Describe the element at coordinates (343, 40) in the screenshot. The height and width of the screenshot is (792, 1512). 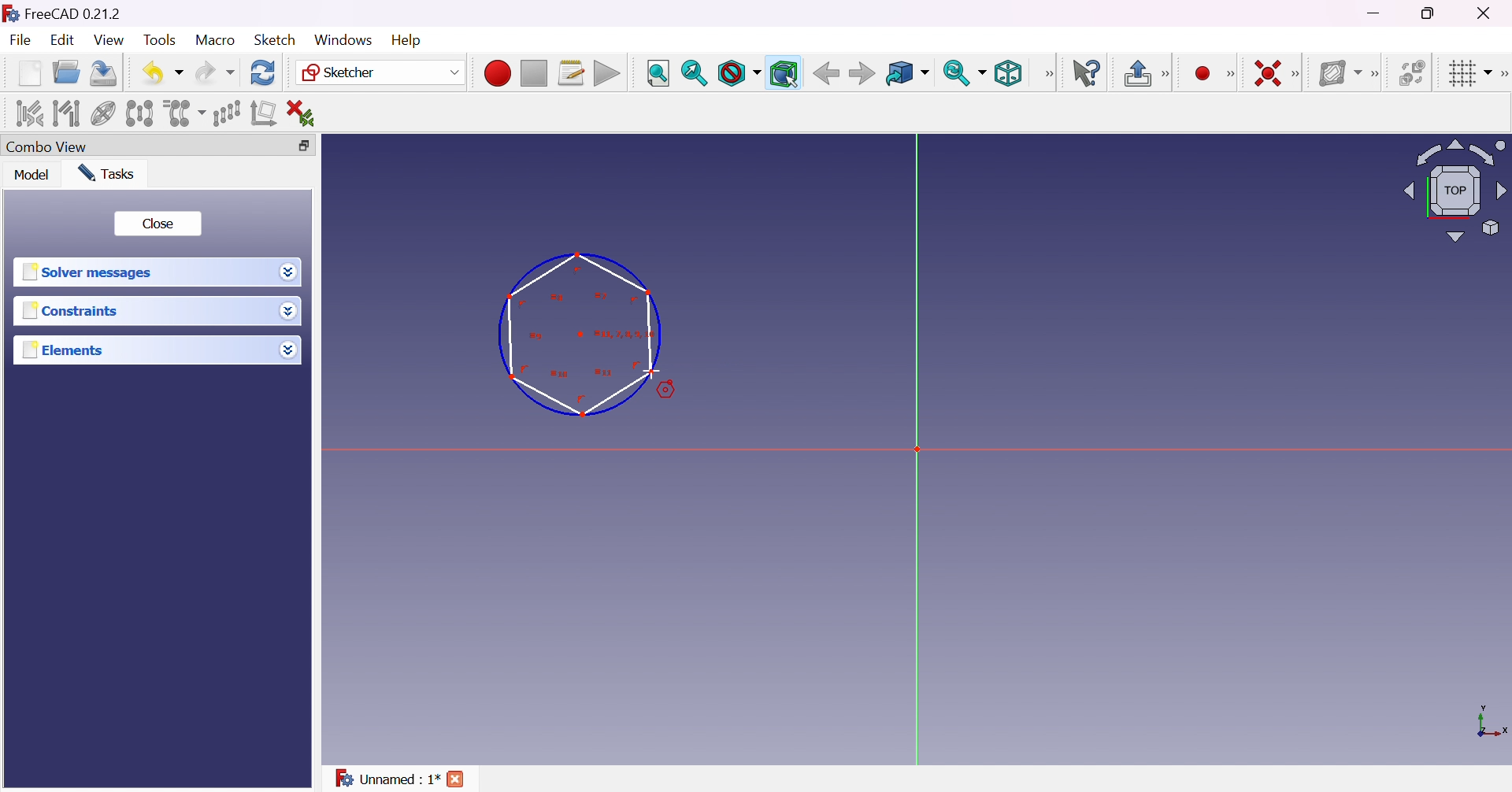
I see `windows` at that location.